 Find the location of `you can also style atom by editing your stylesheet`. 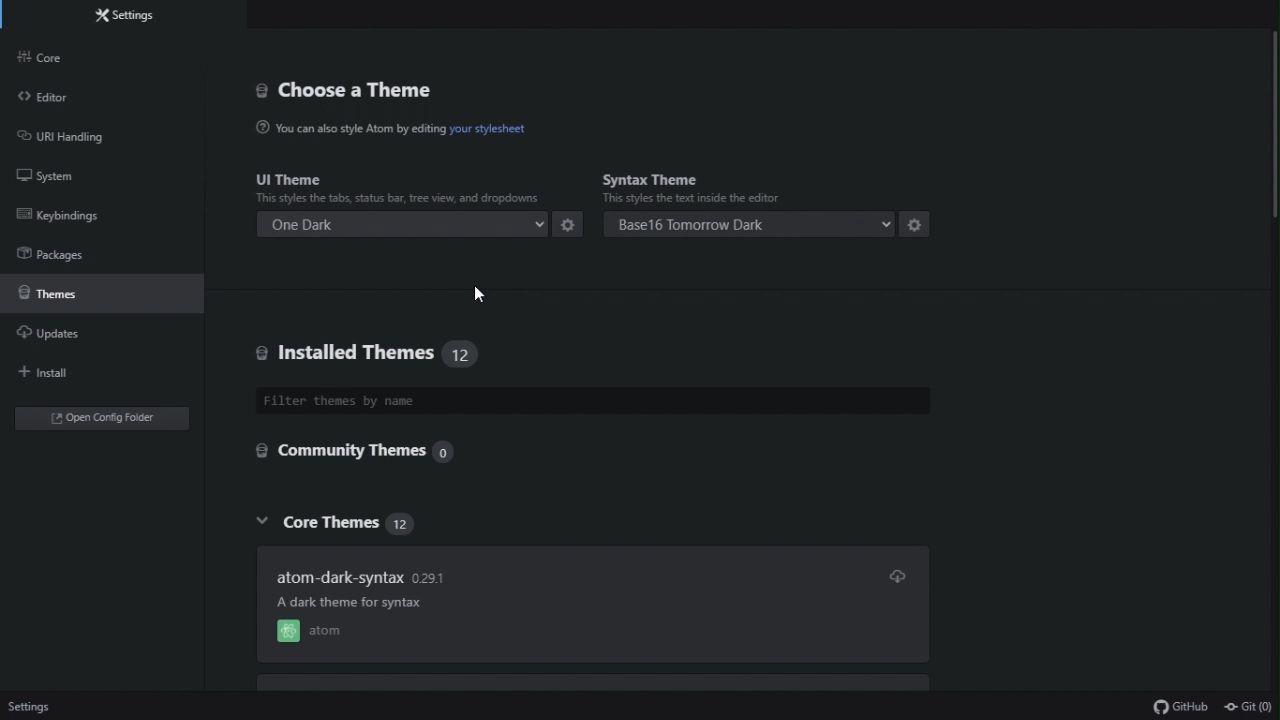

you can also style atom by editing your stylesheet is located at coordinates (472, 135).